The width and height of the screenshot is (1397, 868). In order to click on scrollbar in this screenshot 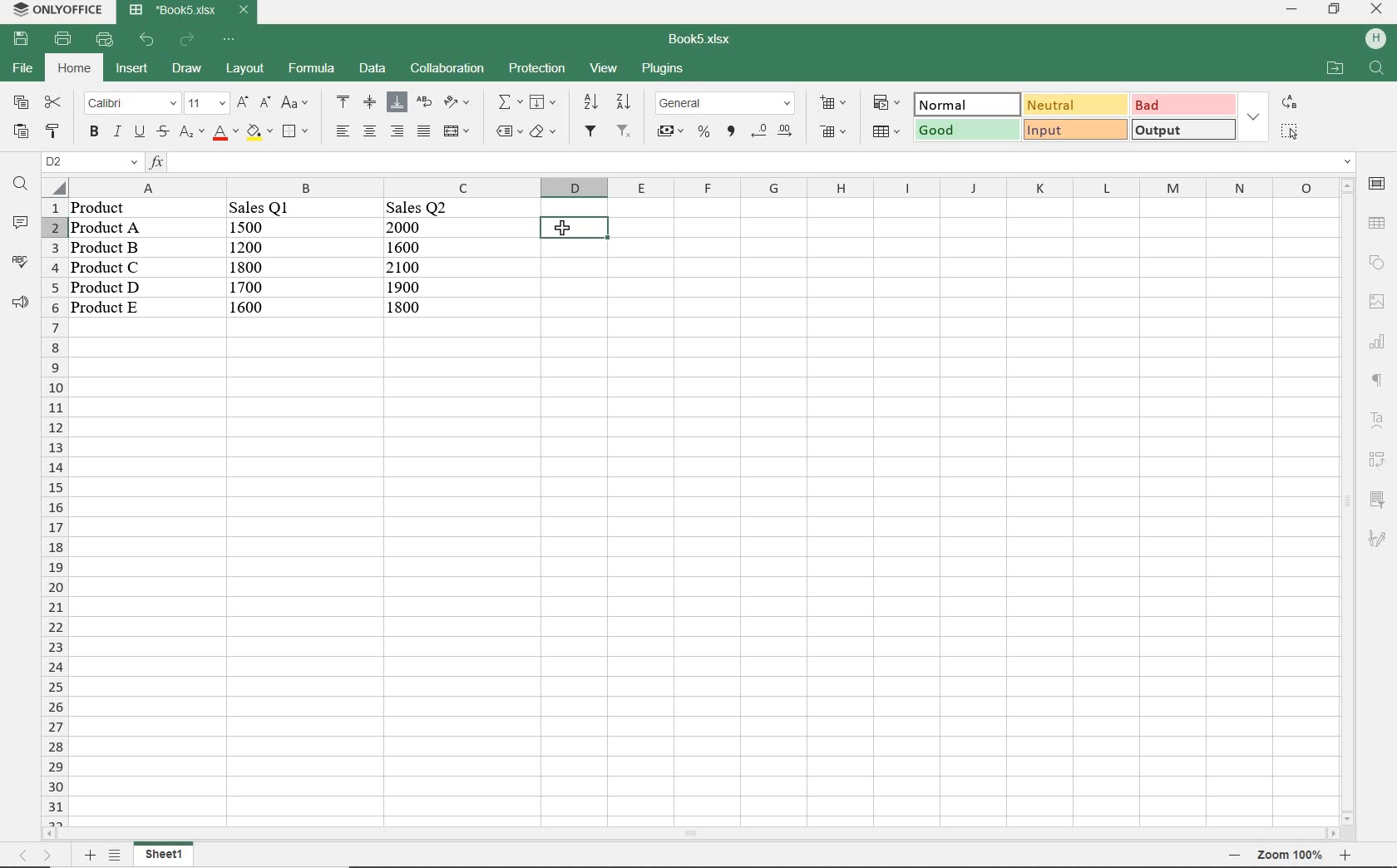, I will do `click(1346, 501)`.